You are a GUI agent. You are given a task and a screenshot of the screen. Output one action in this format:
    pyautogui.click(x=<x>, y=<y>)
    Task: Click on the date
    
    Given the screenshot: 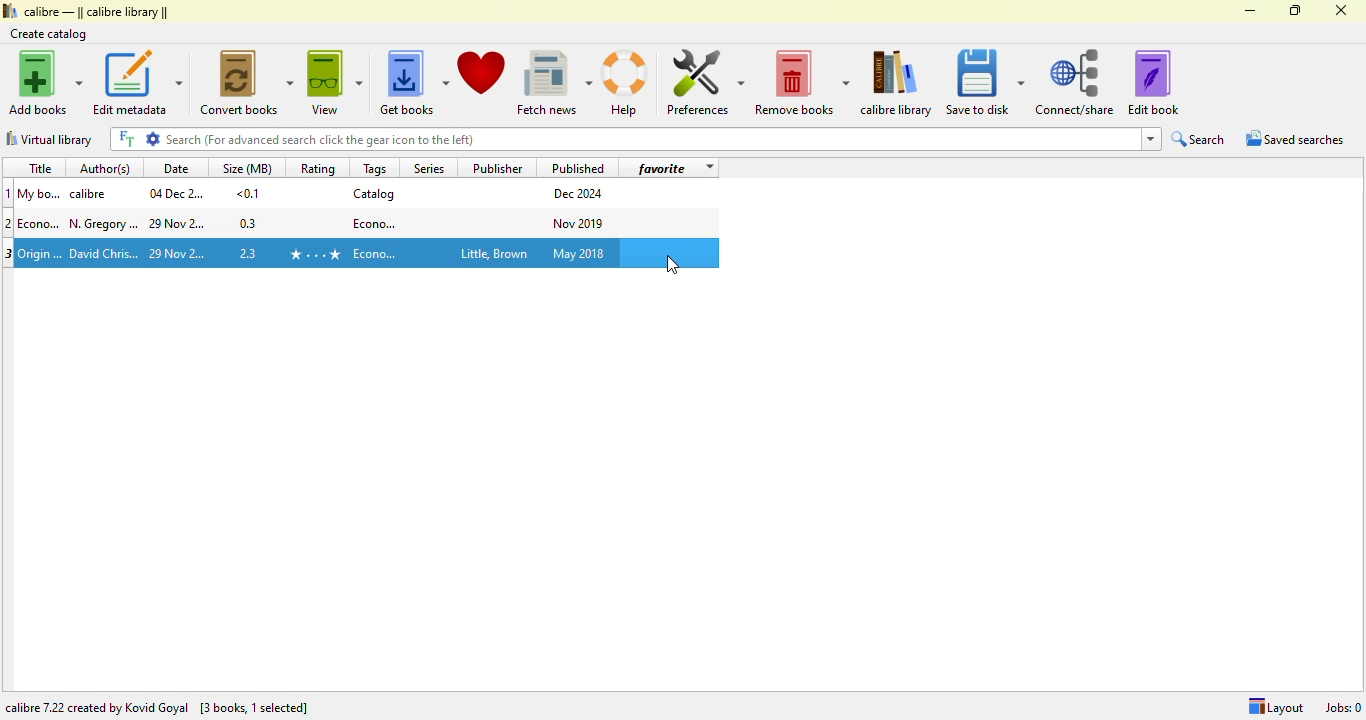 What is the action you would take?
    pyautogui.click(x=179, y=254)
    